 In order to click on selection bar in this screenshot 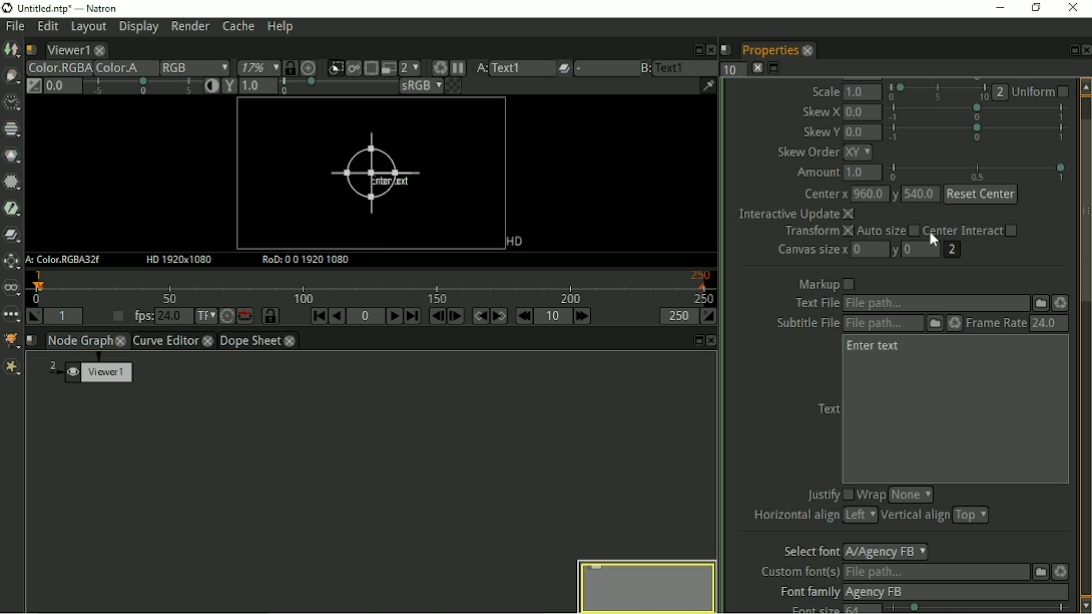, I will do `click(938, 92)`.